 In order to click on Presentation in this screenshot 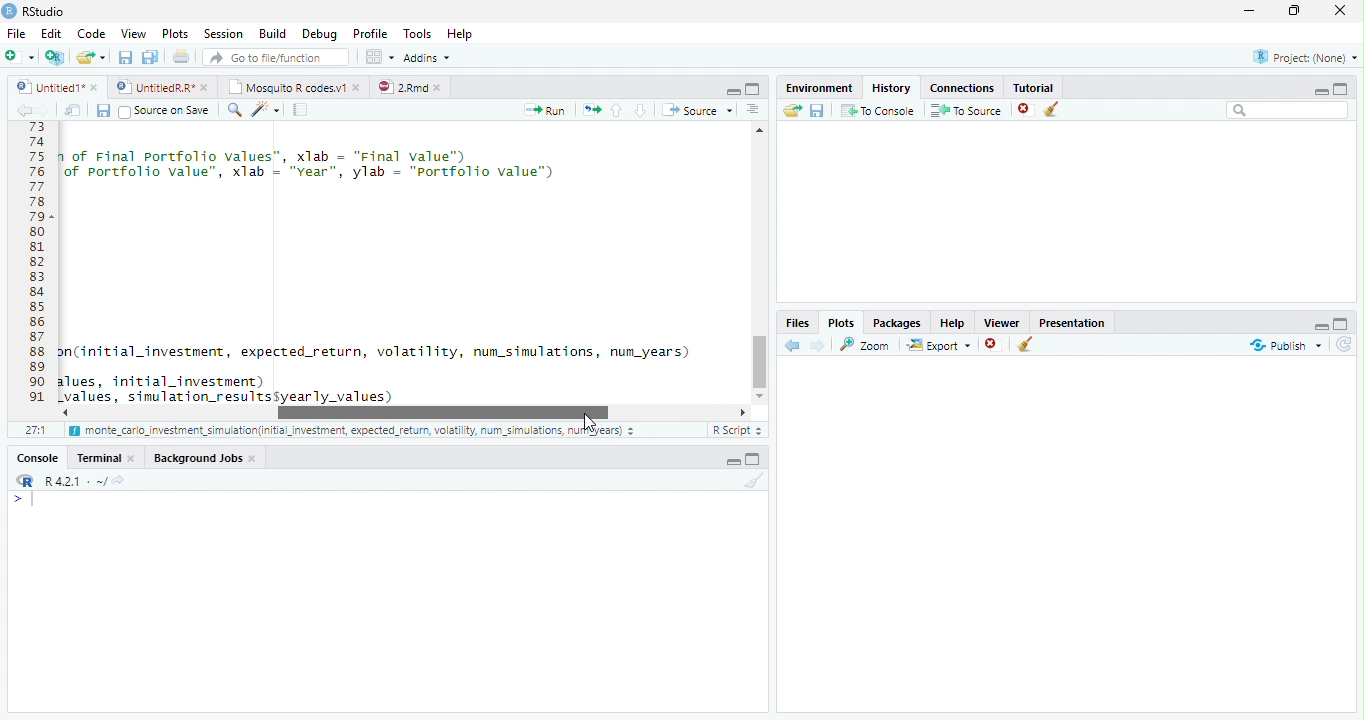, I will do `click(1072, 321)`.